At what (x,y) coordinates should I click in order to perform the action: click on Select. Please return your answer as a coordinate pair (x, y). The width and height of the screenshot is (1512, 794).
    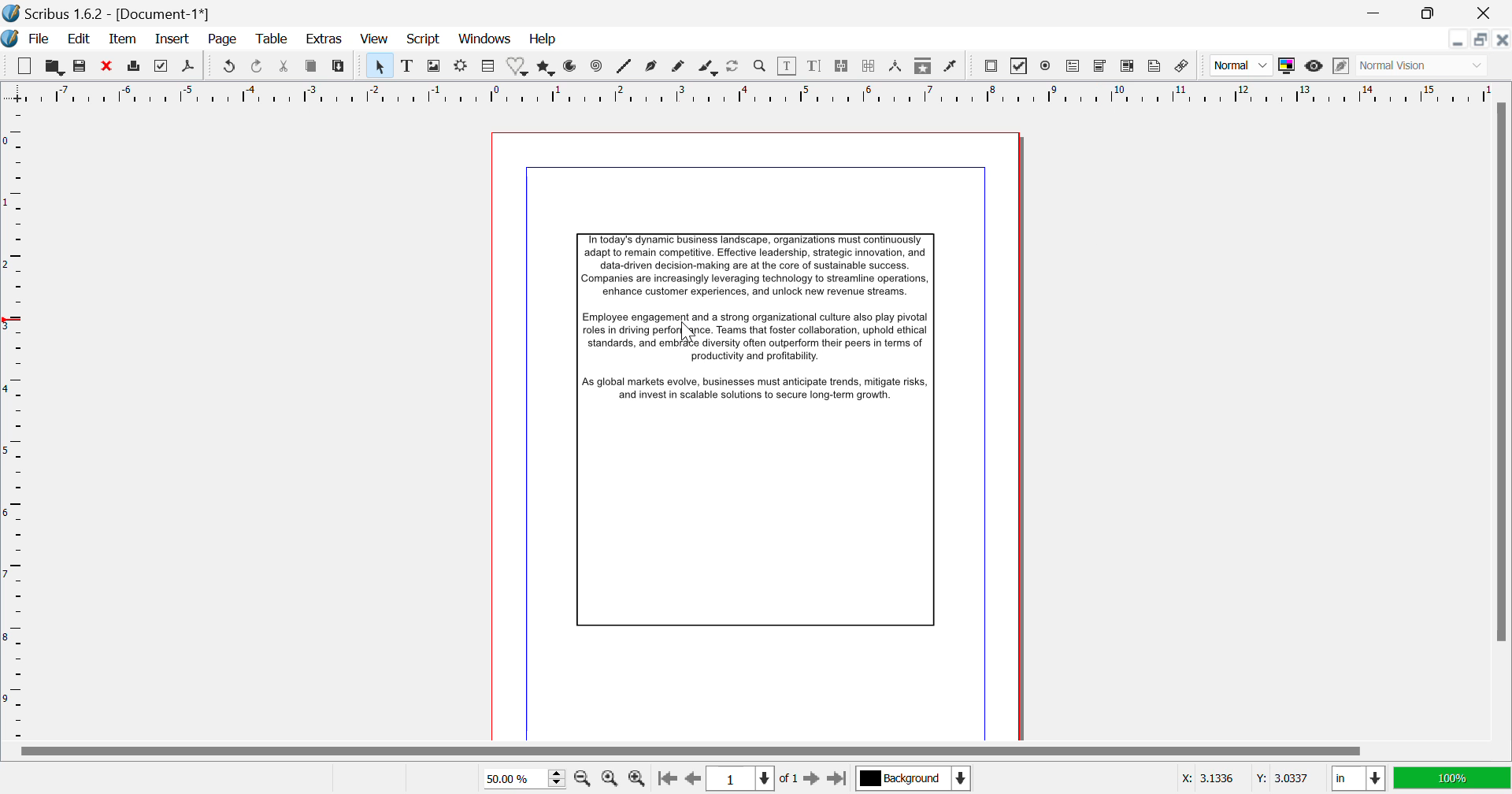
    Looking at the image, I should click on (381, 65).